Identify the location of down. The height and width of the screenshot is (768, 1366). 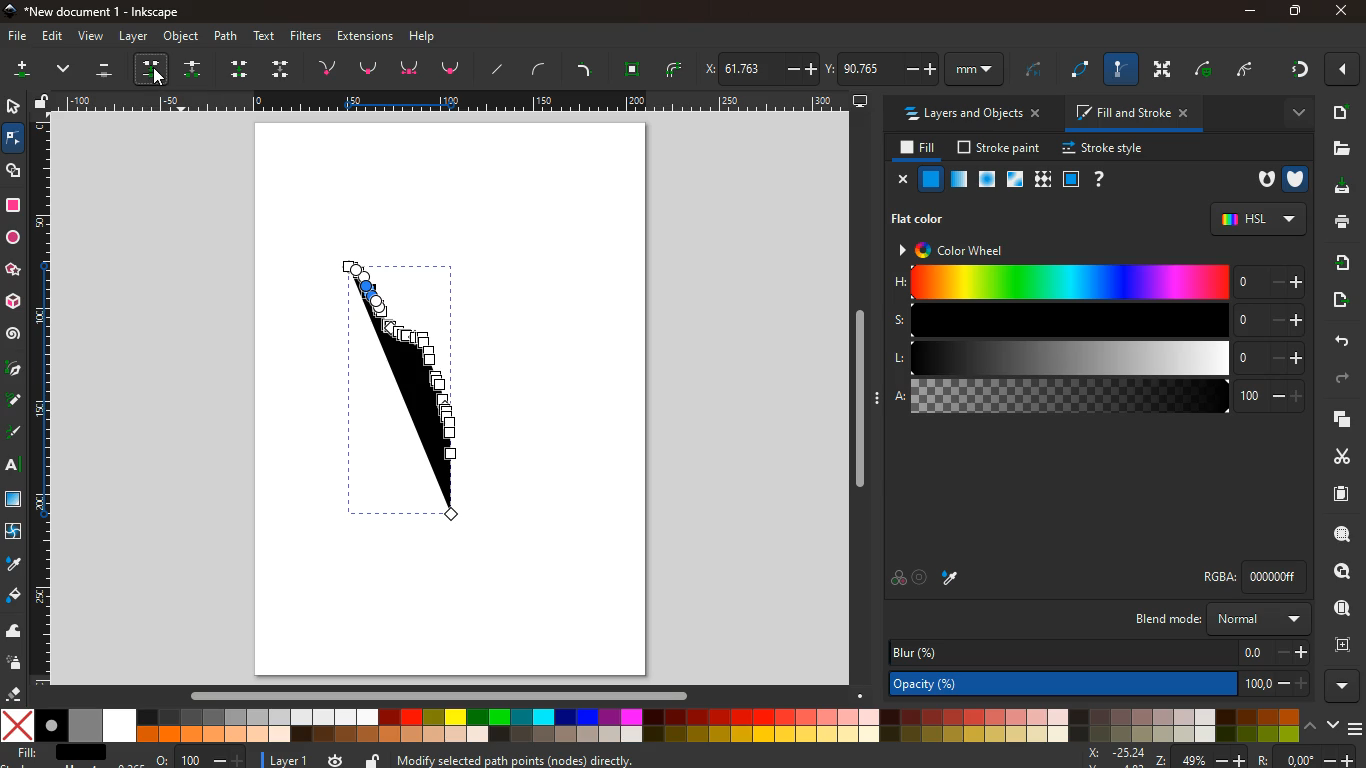
(1331, 725).